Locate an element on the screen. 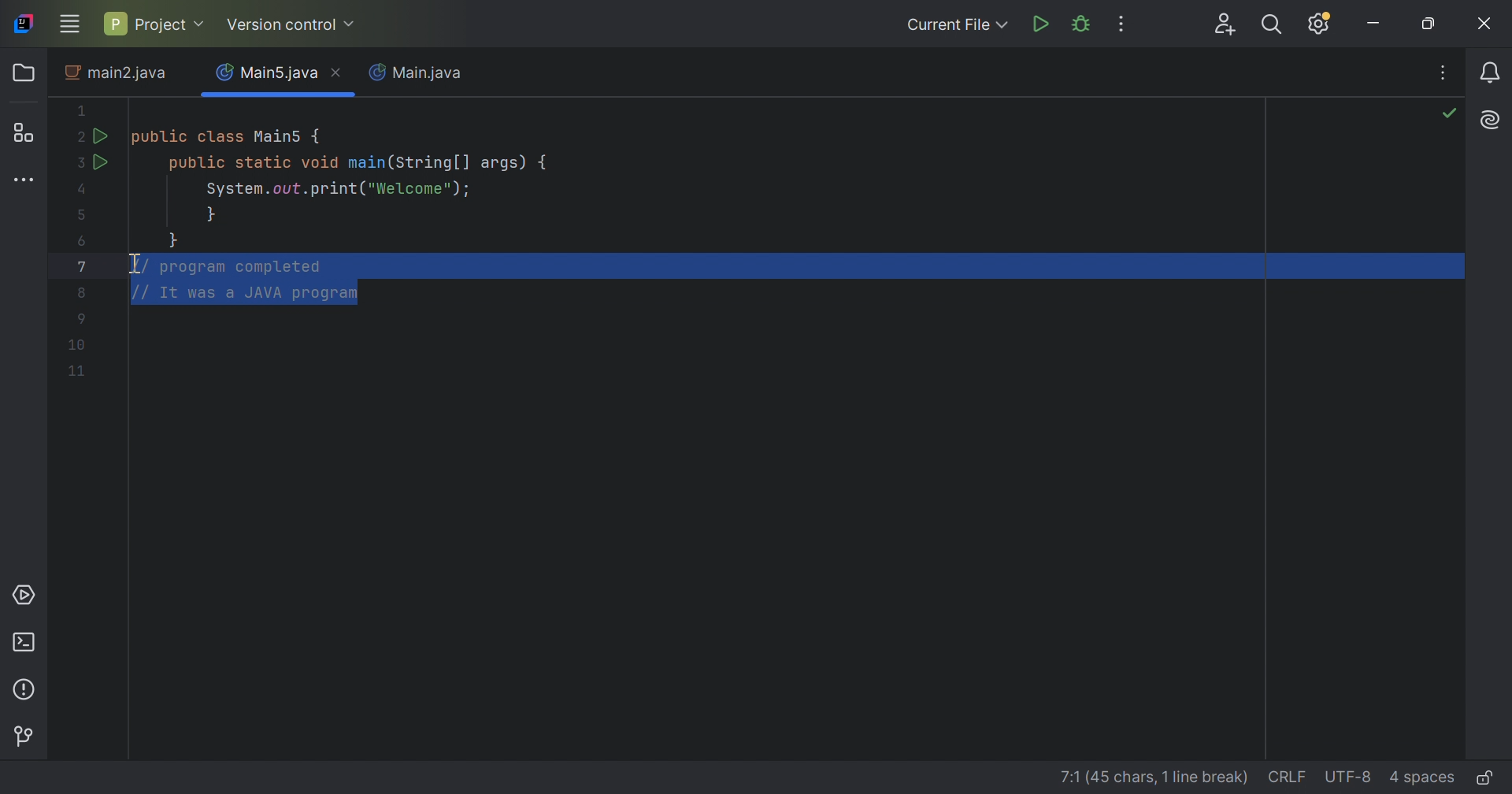 The height and width of the screenshot is (794, 1512). Services is located at coordinates (28, 597).